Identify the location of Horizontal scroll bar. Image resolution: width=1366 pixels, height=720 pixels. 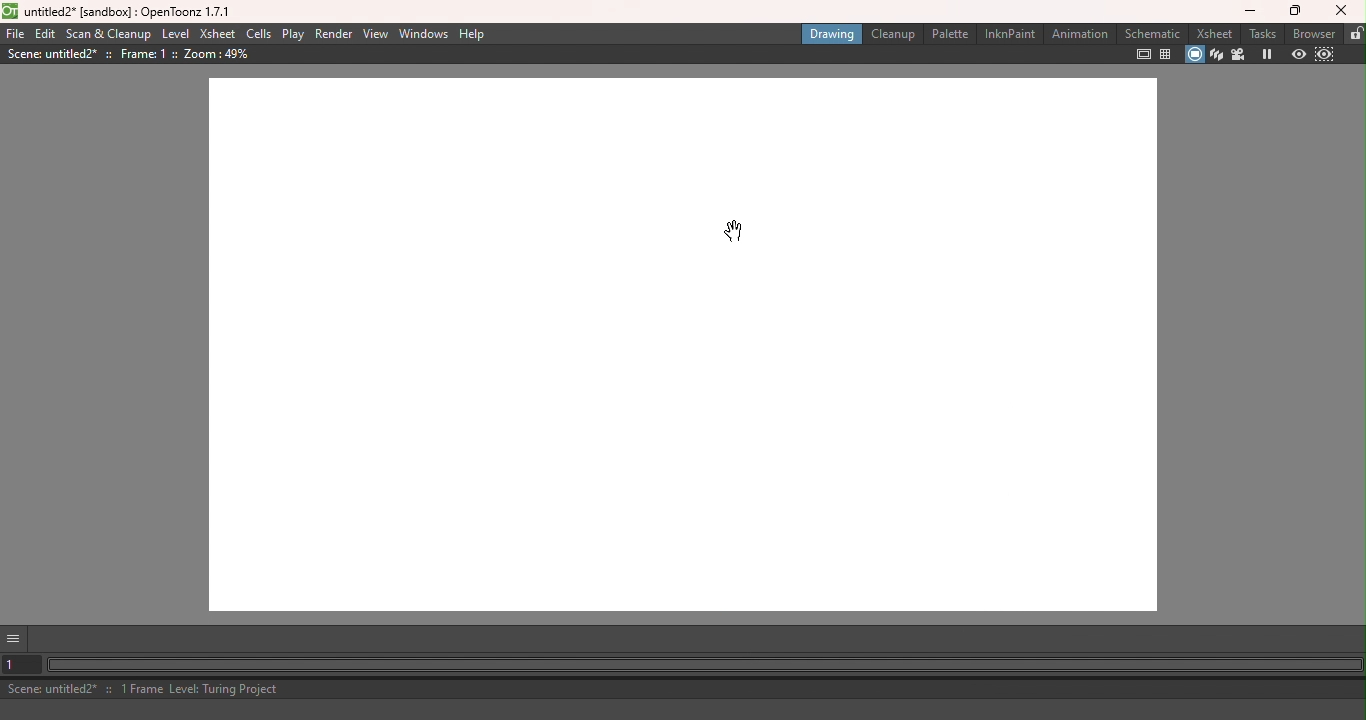
(705, 666).